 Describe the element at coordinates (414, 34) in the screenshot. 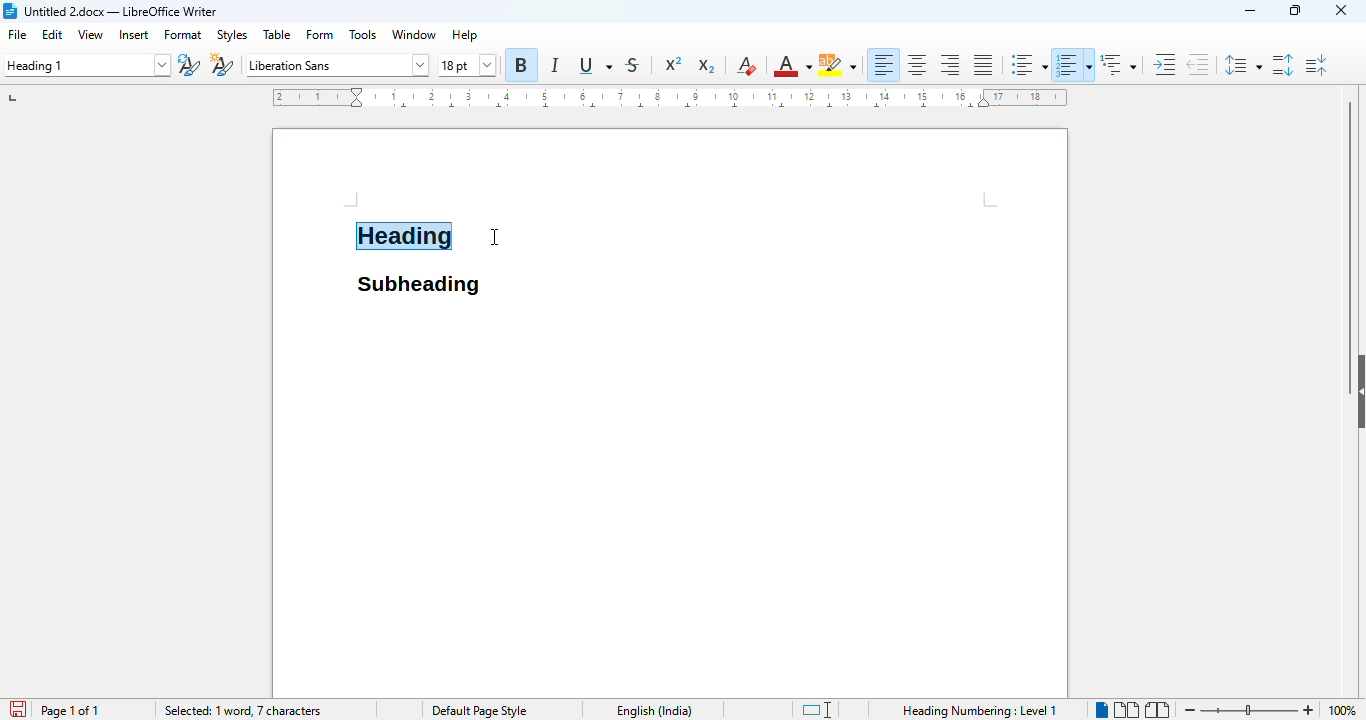

I see `window` at that location.